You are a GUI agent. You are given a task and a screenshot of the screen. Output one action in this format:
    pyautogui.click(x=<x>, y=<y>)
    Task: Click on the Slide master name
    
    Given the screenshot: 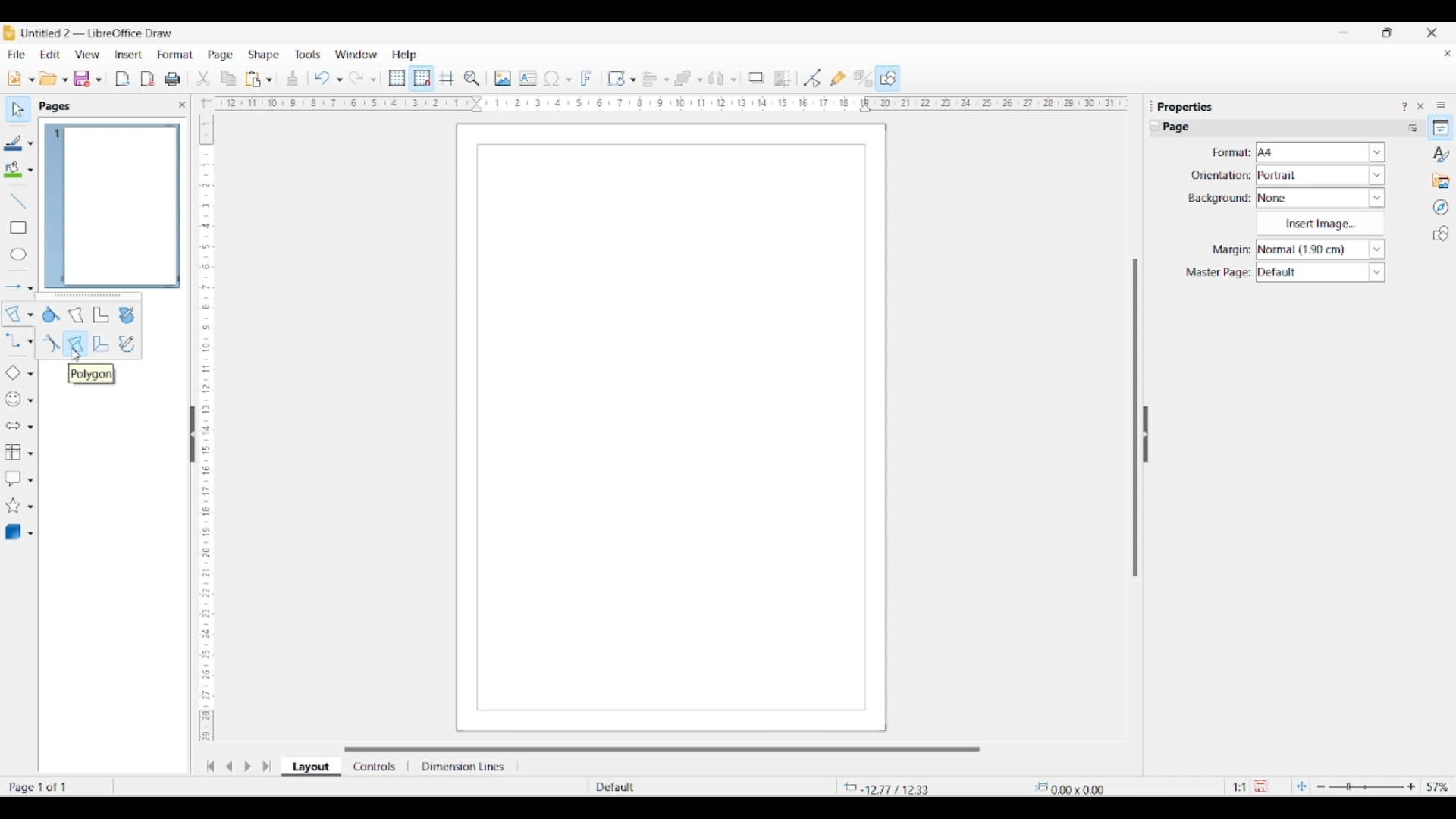 What is the action you would take?
    pyautogui.click(x=680, y=788)
    